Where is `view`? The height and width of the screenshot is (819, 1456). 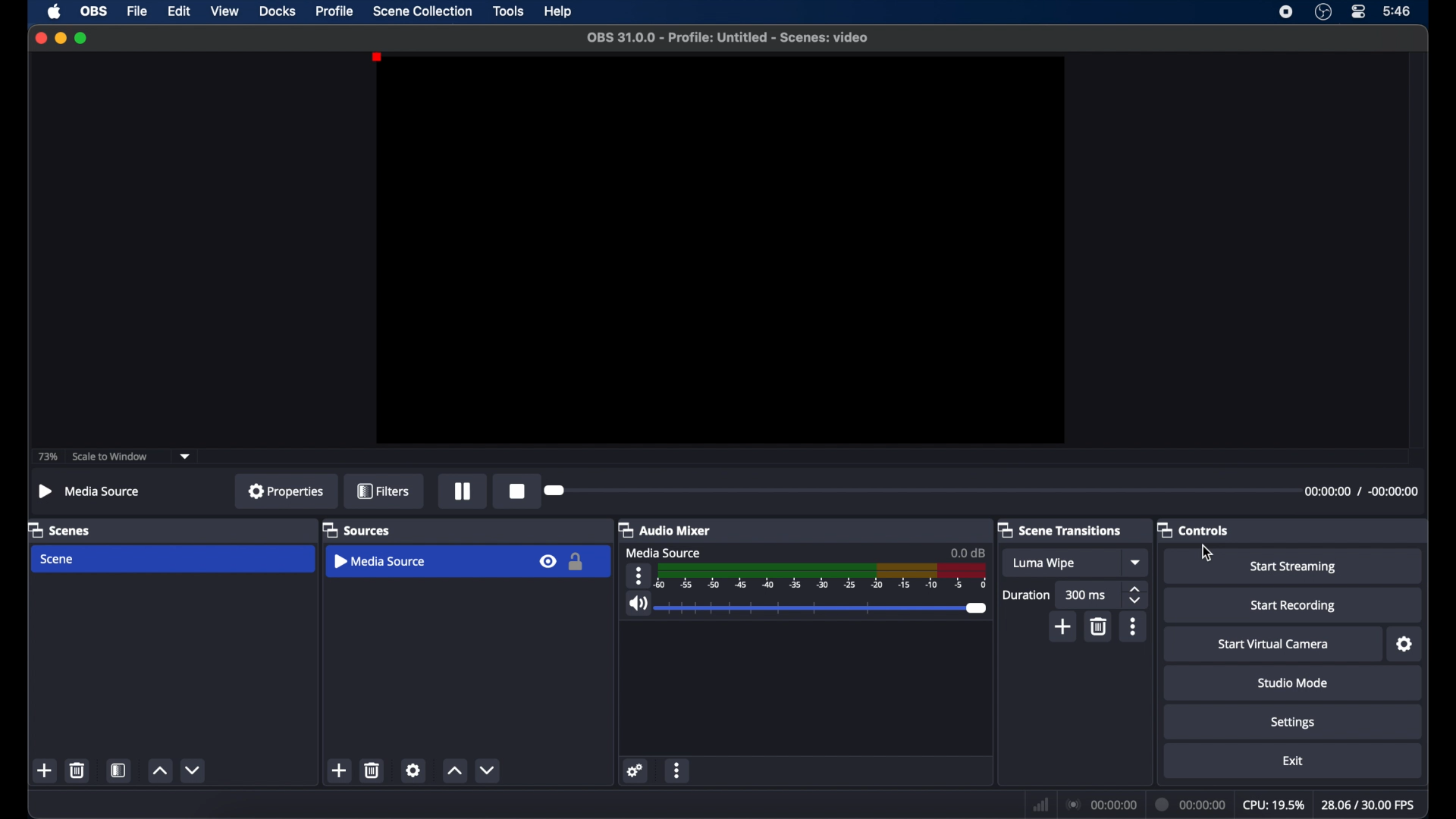
view is located at coordinates (224, 11).